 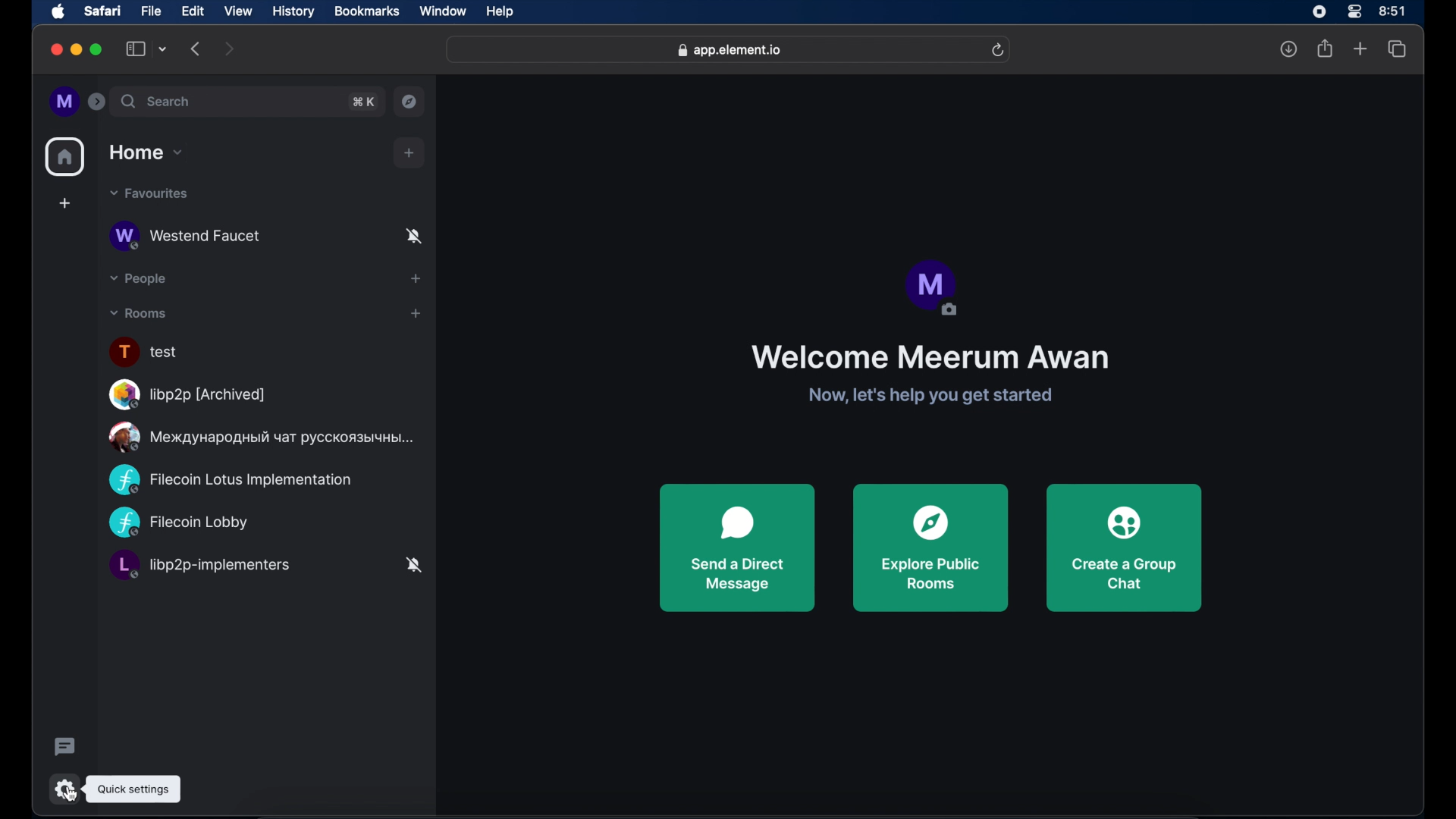 I want to click on downloads, so click(x=1284, y=48).